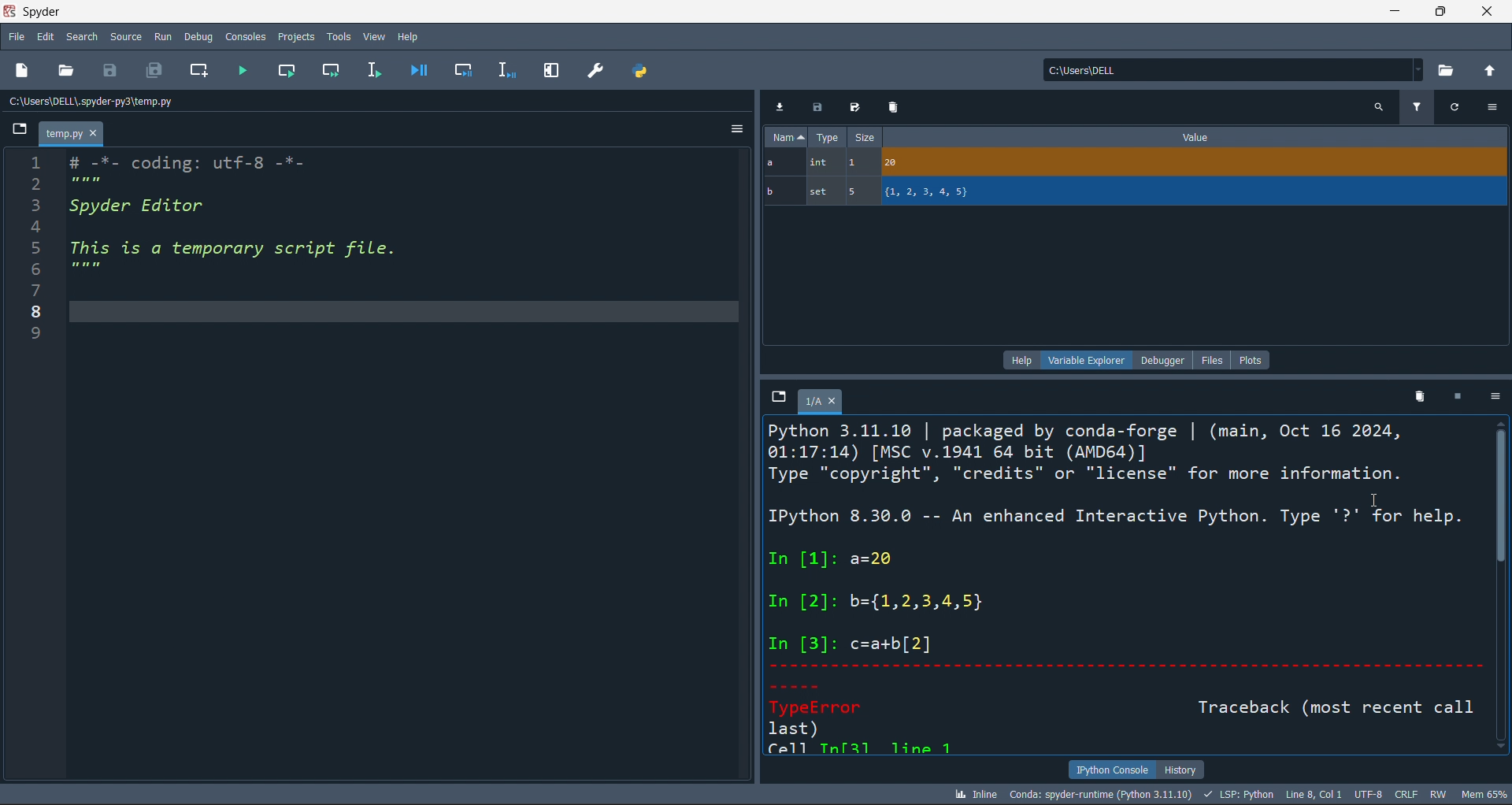  What do you see at coordinates (1099, 793) in the screenshot?
I see `CONDA:SPYDER-RUNTIME(PYTHON 3.11.10)` at bounding box center [1099, 793].